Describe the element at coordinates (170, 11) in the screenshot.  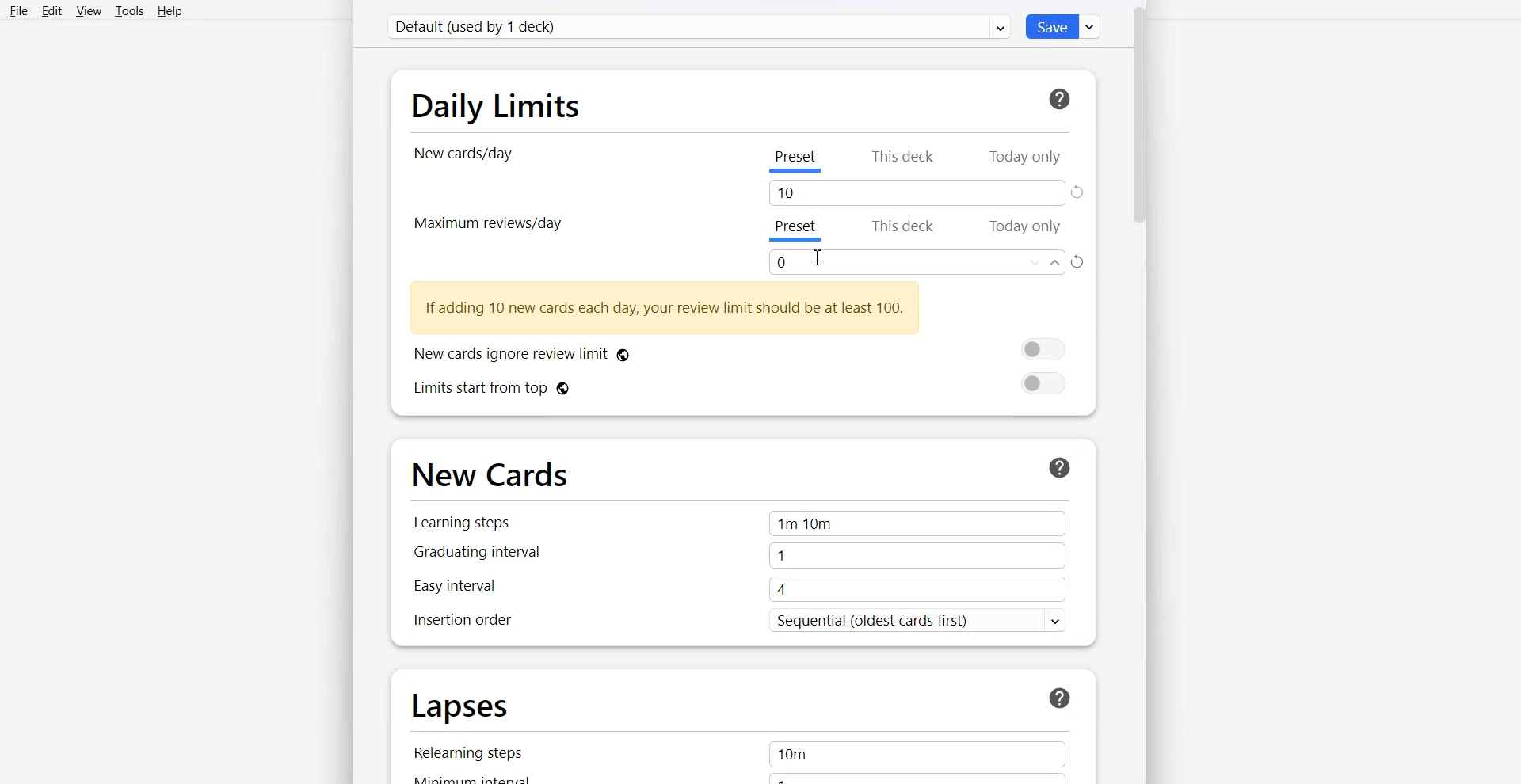
I see `Help` at that location.